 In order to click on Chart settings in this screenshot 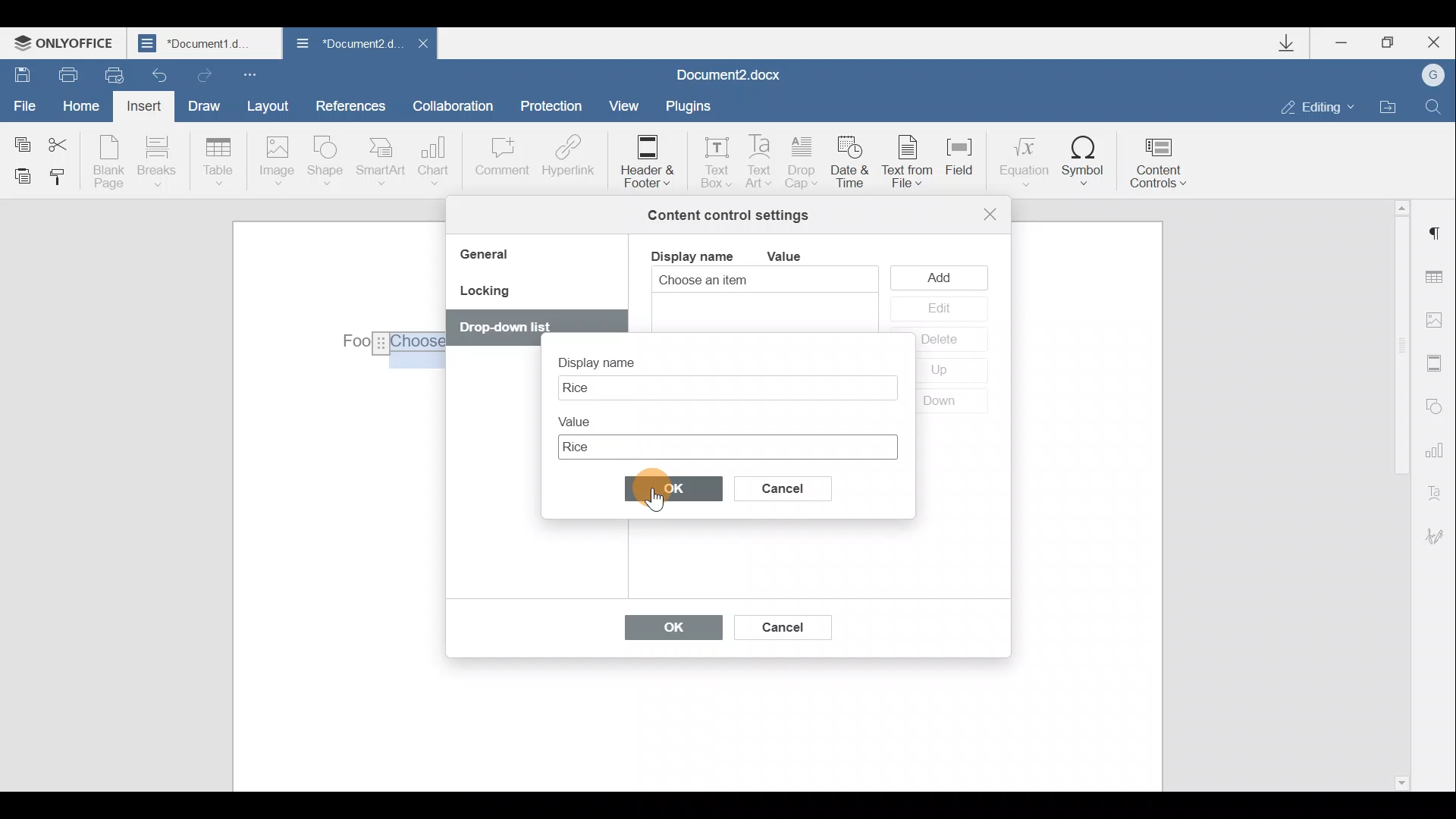, I will do `click(1437, 448)`.